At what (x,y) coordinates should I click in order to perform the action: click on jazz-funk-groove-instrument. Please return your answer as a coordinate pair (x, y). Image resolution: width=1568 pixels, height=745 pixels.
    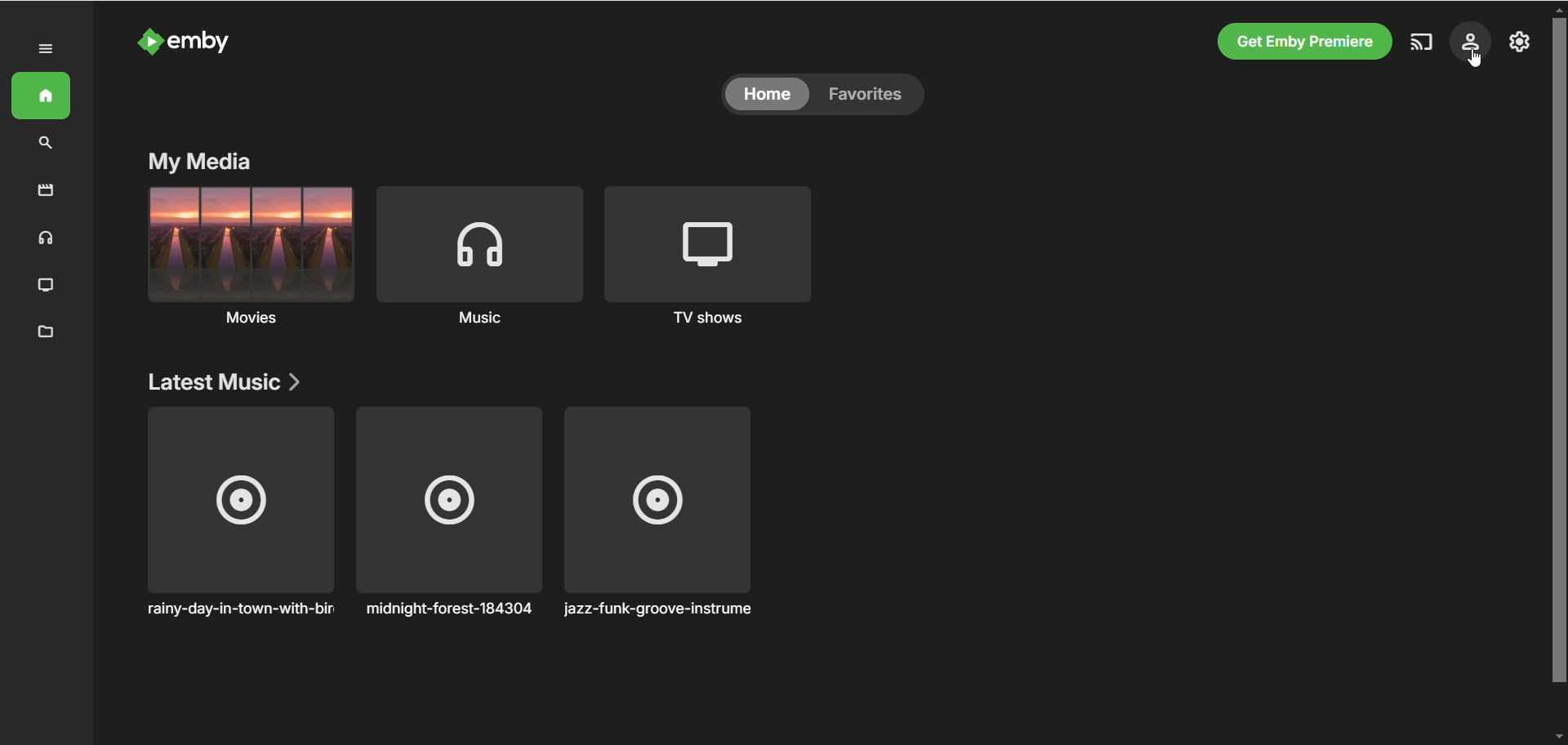
    Looking at the image, I should click on (662, 511).